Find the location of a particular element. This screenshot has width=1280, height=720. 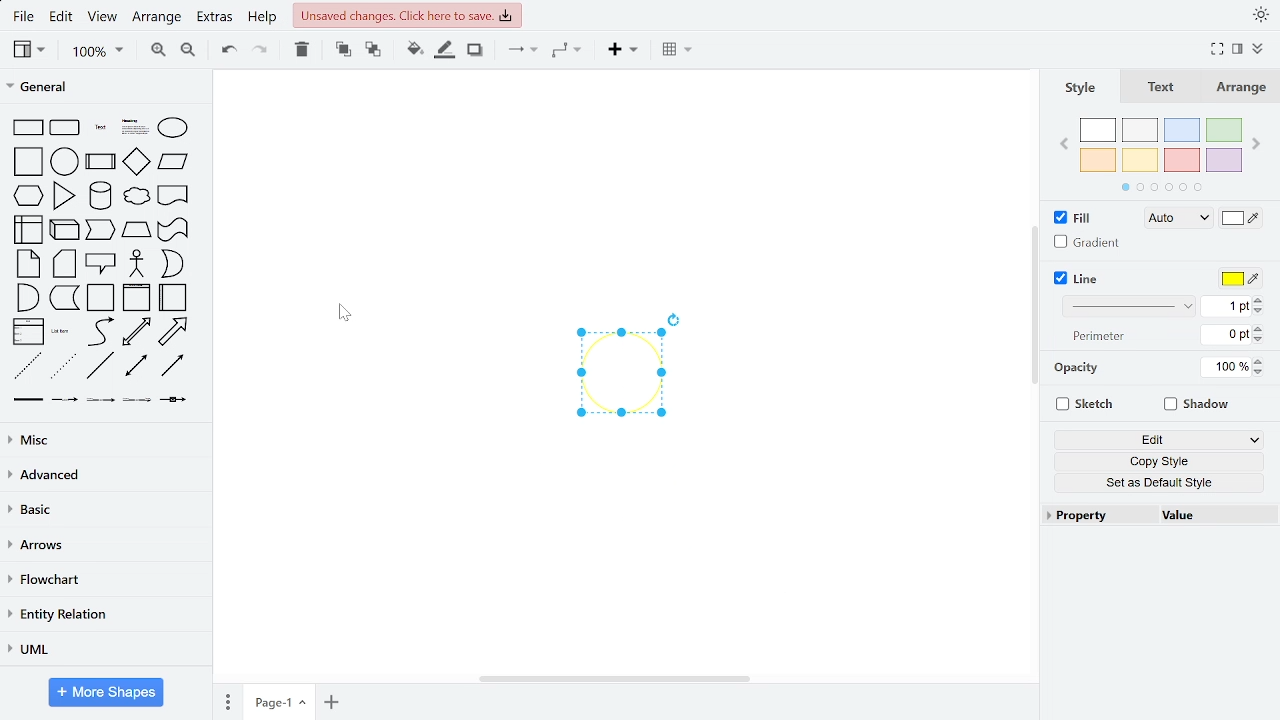

decrease line width is located at coordinates (1261, 311).